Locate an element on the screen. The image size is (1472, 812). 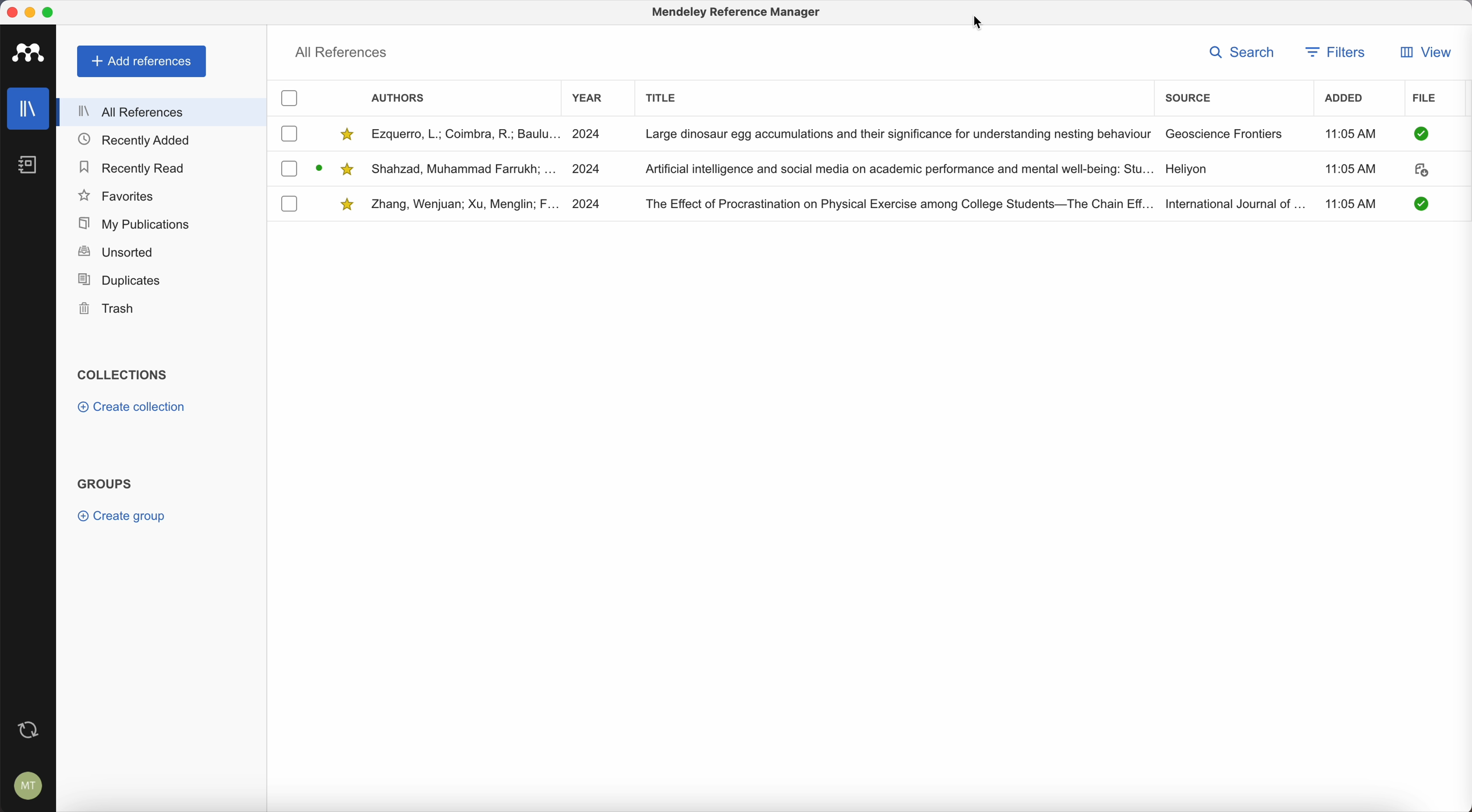
create collection is located at coordinates (131, 409).